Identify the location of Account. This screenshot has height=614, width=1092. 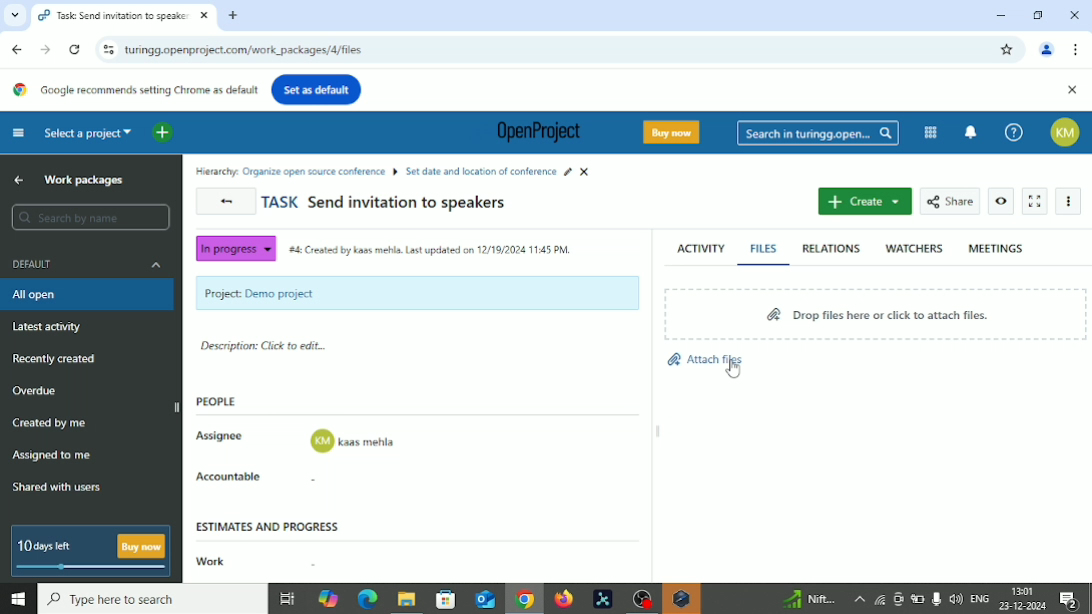
(1069, 132).